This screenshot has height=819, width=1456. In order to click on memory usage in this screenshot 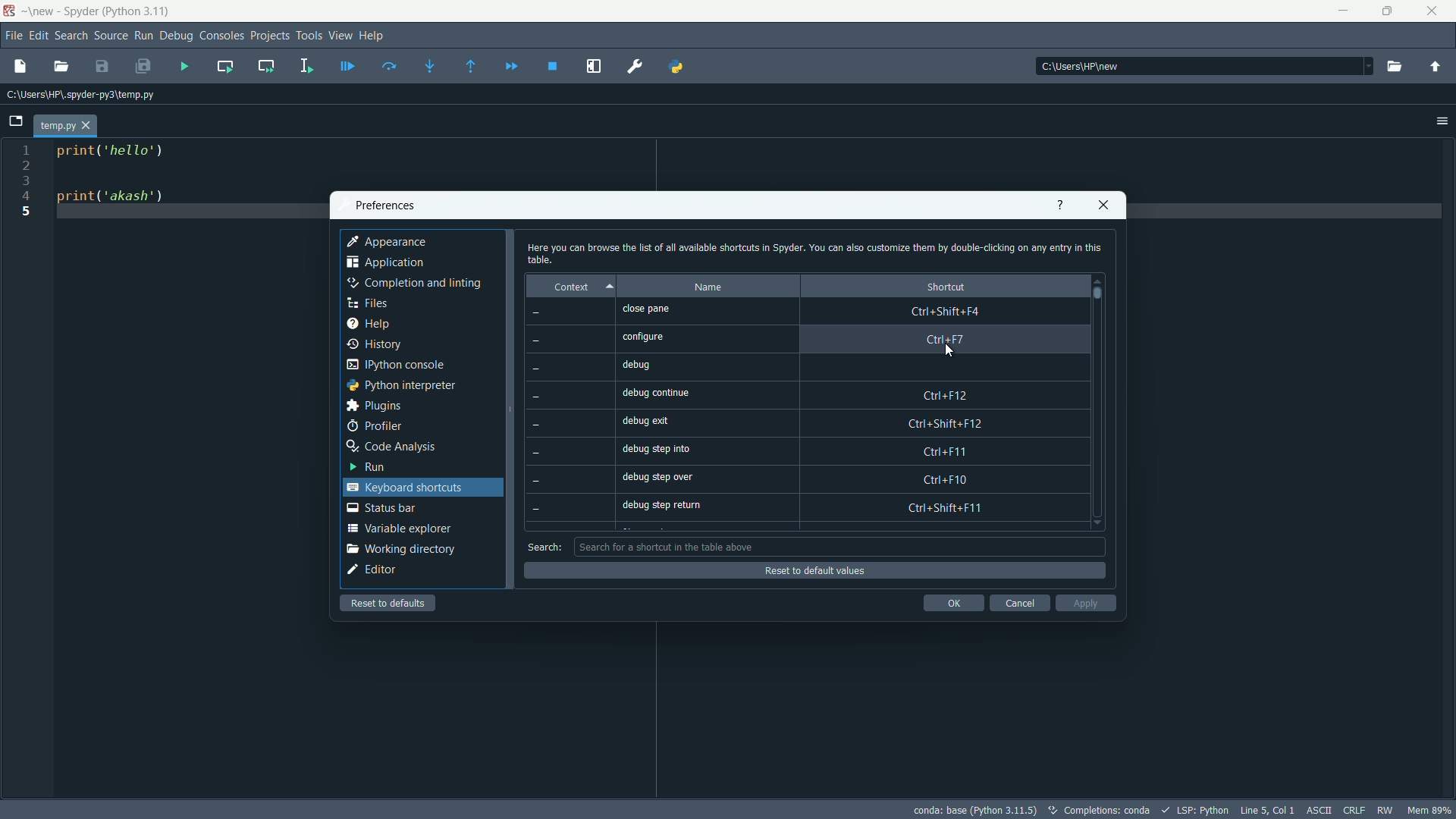, I will do `click(1432, 810)`.